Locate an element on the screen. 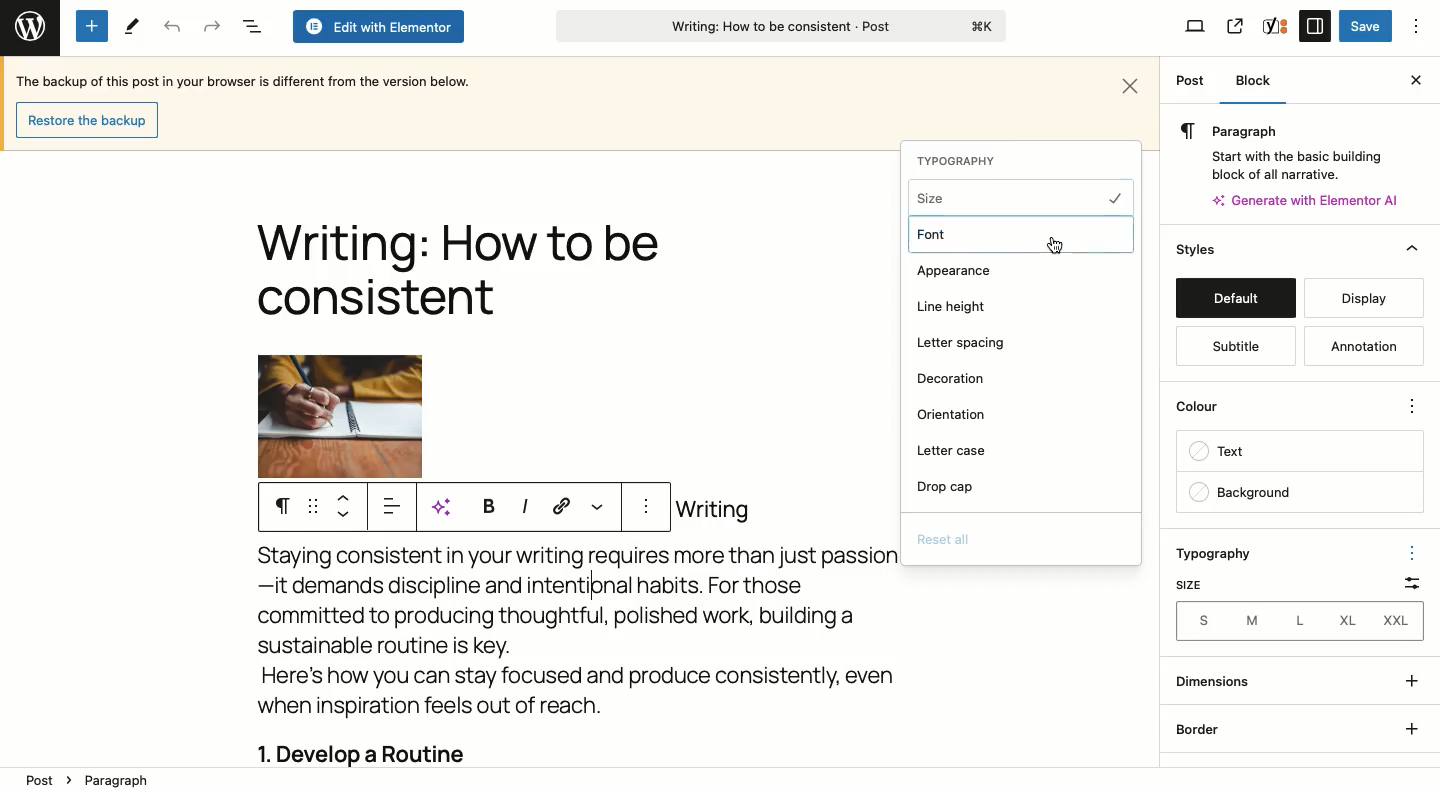 The height and width of the screenshot is (792, 1440). Cursor is located at coordinates (1049, 245).